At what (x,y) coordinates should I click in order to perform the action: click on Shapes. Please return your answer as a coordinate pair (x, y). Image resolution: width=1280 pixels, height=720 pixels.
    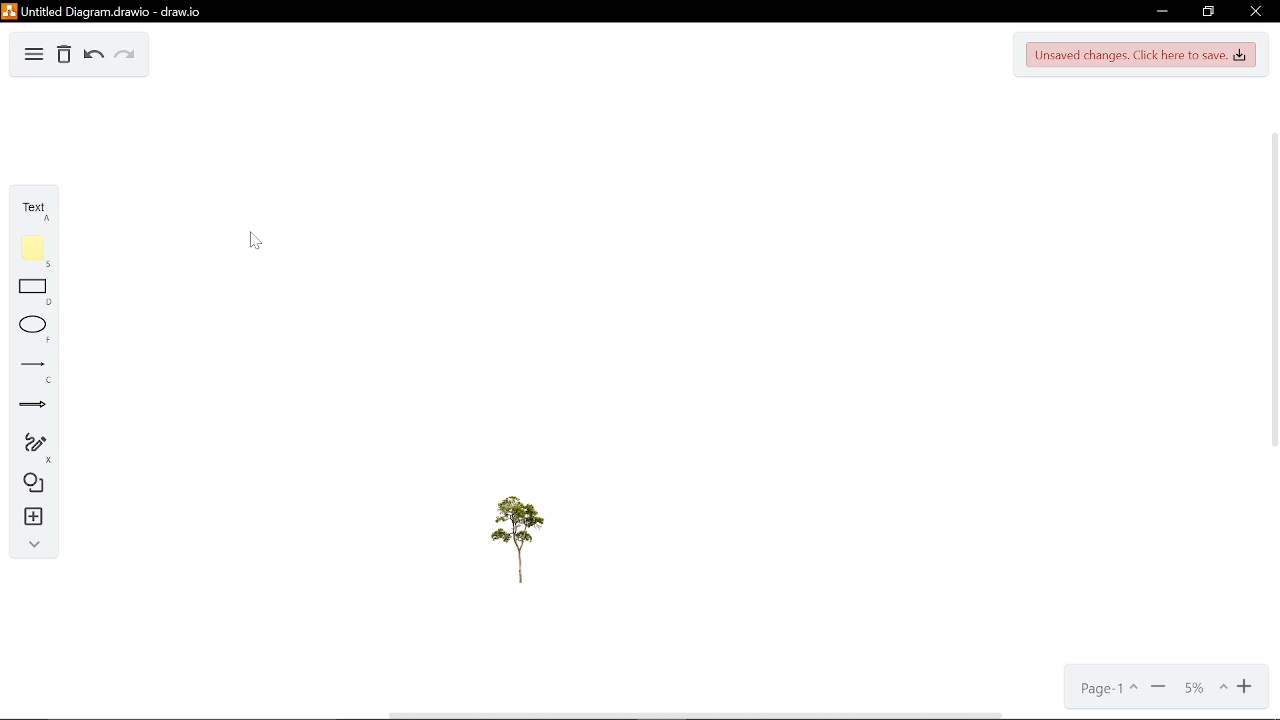
    Looking at the image, I should click on (28, 484).